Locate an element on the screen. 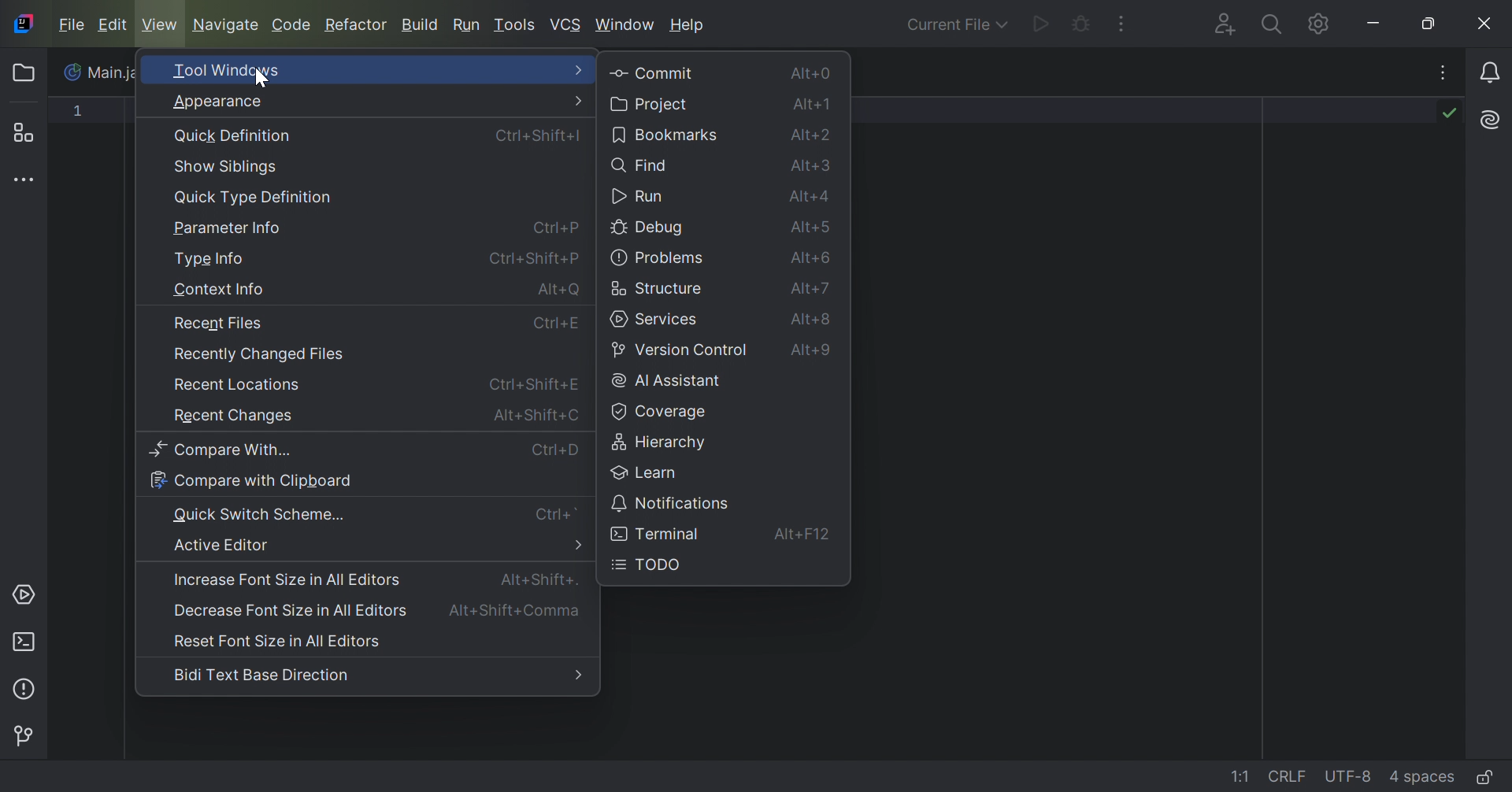  CRLF is located at coordinates (1289, 775).